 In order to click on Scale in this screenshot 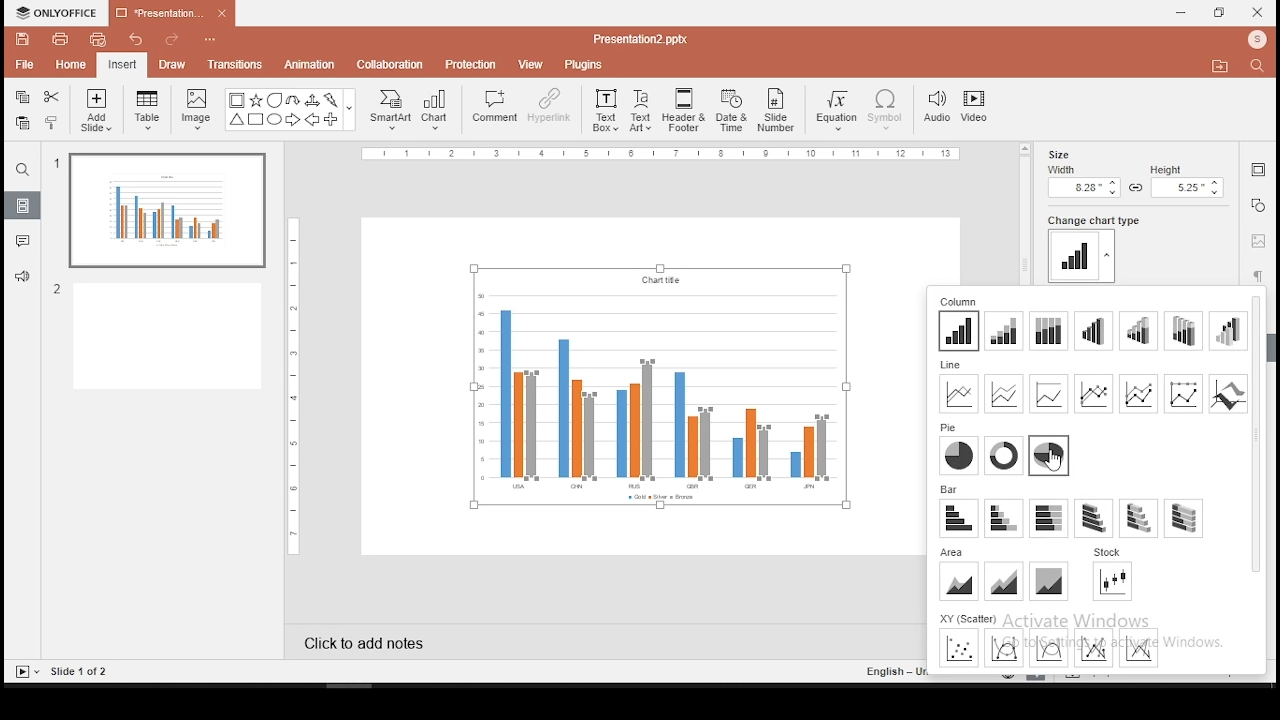, I will do `click(298, 386)`.